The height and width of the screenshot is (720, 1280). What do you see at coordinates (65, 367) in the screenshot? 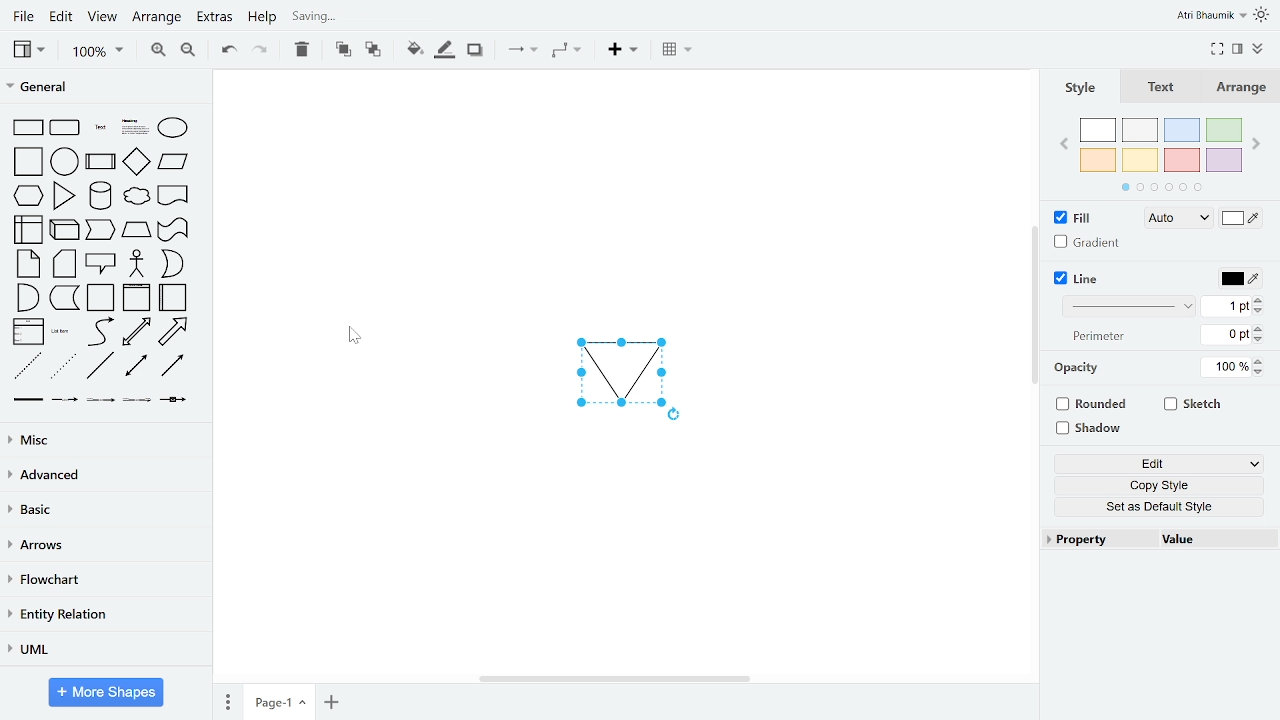
I see `dotted line` at bounding box center [65, 367].